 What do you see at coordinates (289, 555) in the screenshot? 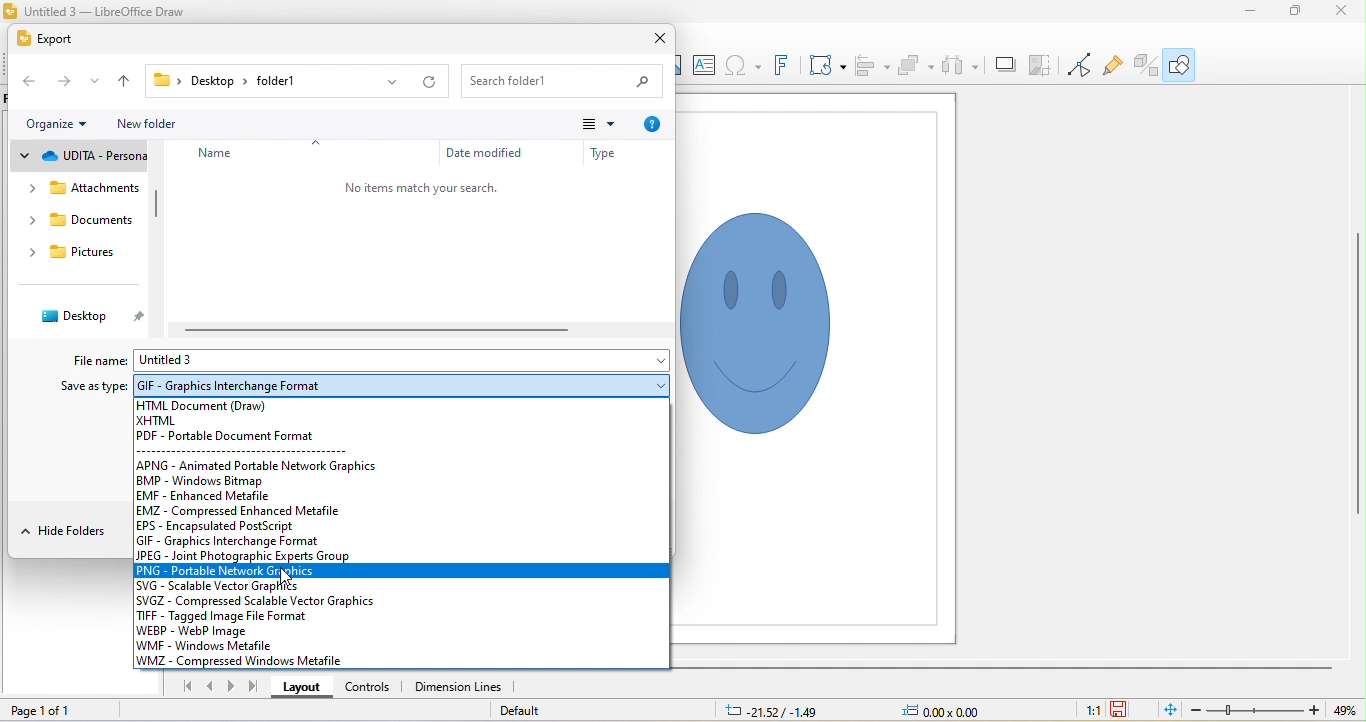
I see `joint photographic expert group` at bounding box center [289, 555].